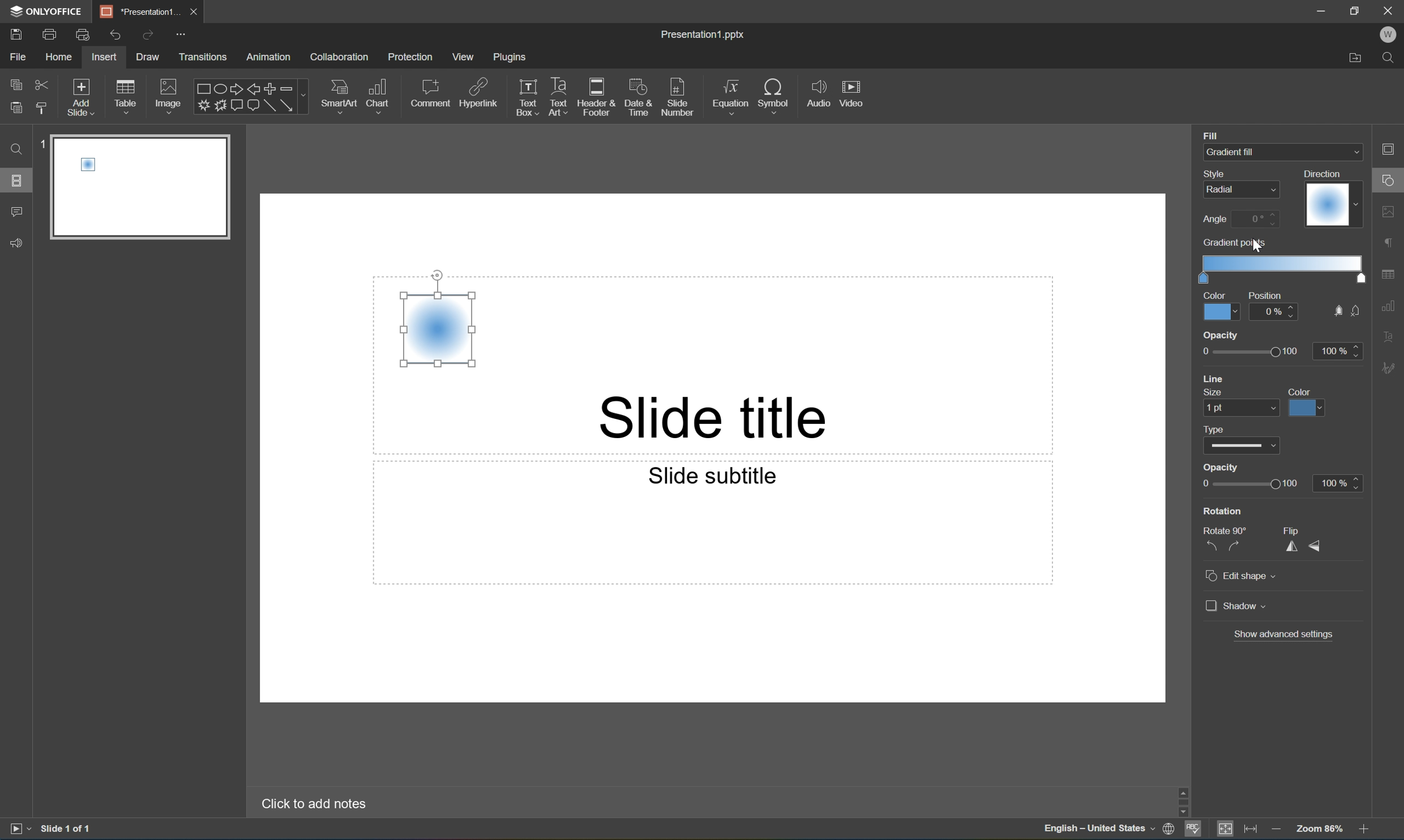 This screenshot has height=840, width=1404. I want to click on Cursor, so click(1259, 245).